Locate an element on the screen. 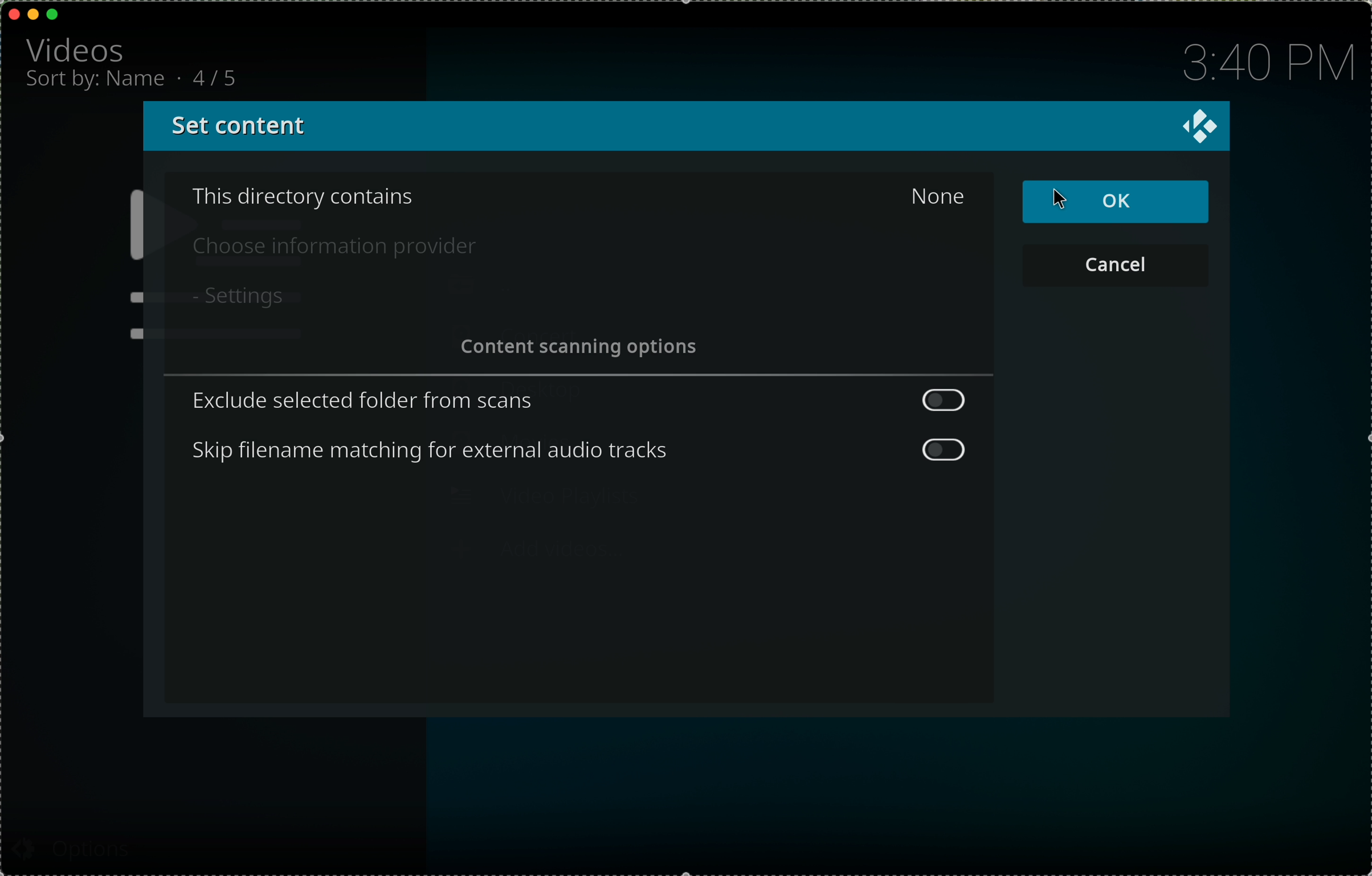 The image size is (1372, 876). settings is located at coordinates (236, 297).